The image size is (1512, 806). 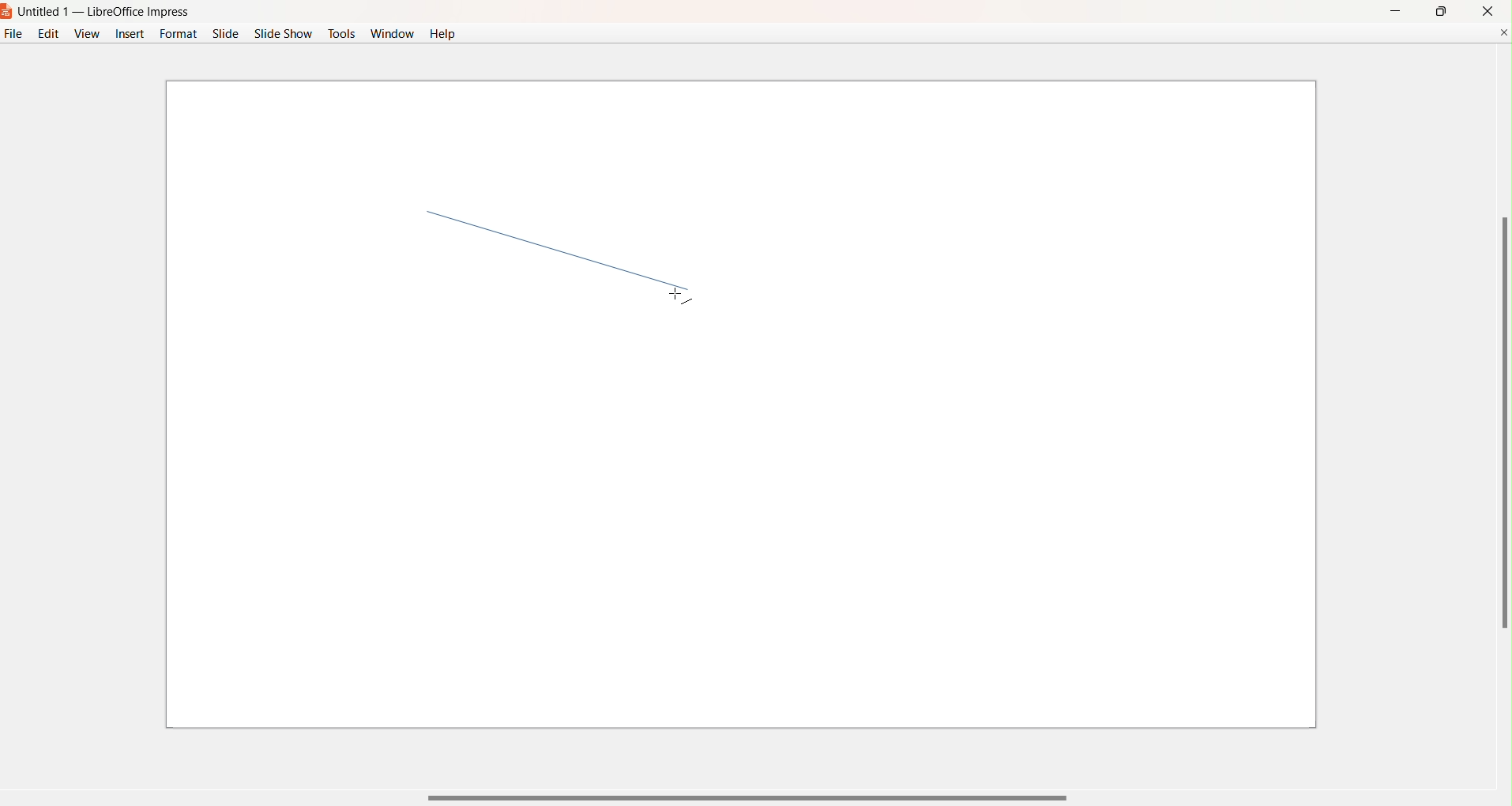 I want to click on Slide Show, so click(x=284, y=34).